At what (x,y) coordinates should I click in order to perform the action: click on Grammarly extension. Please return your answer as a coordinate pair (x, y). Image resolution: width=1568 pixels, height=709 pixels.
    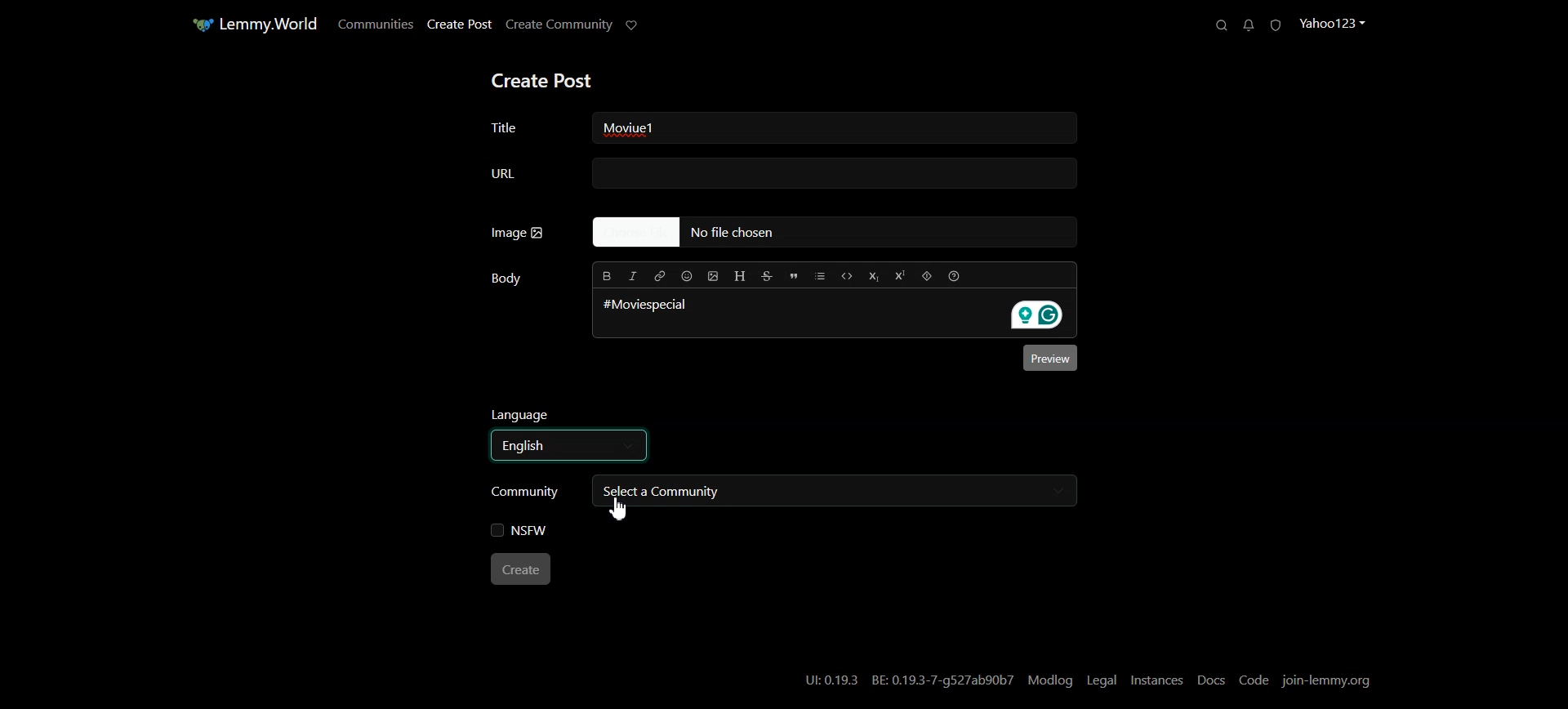
    Looking at the image, I should click on (1043, 316).